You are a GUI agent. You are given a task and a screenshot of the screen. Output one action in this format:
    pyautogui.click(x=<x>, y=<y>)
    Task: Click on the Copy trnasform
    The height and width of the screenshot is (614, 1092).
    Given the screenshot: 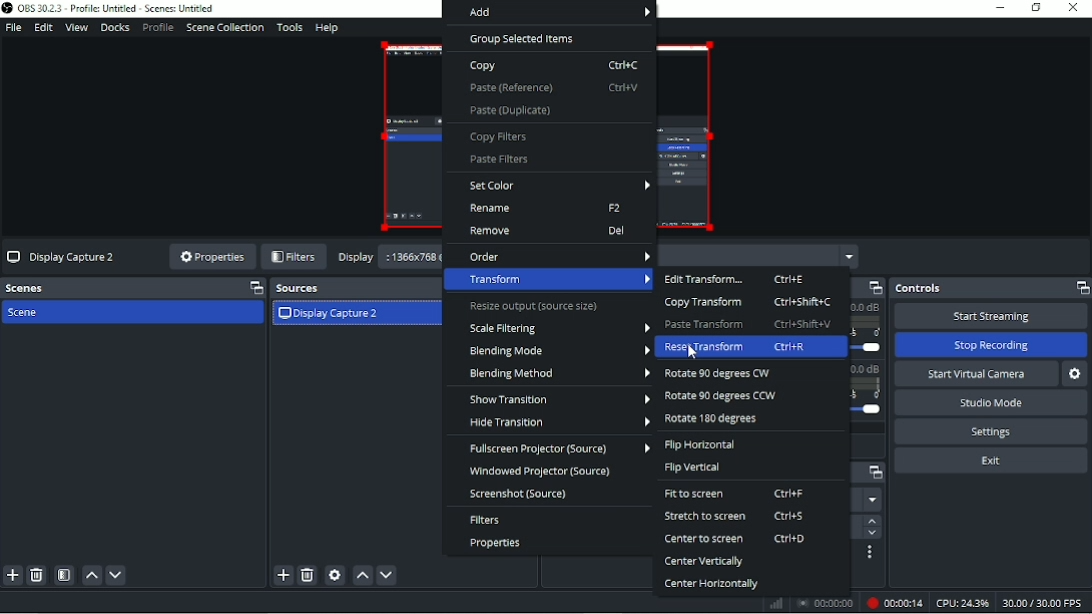 What is the action you would take?
    pyautogui.click(x=748, y=302)
    